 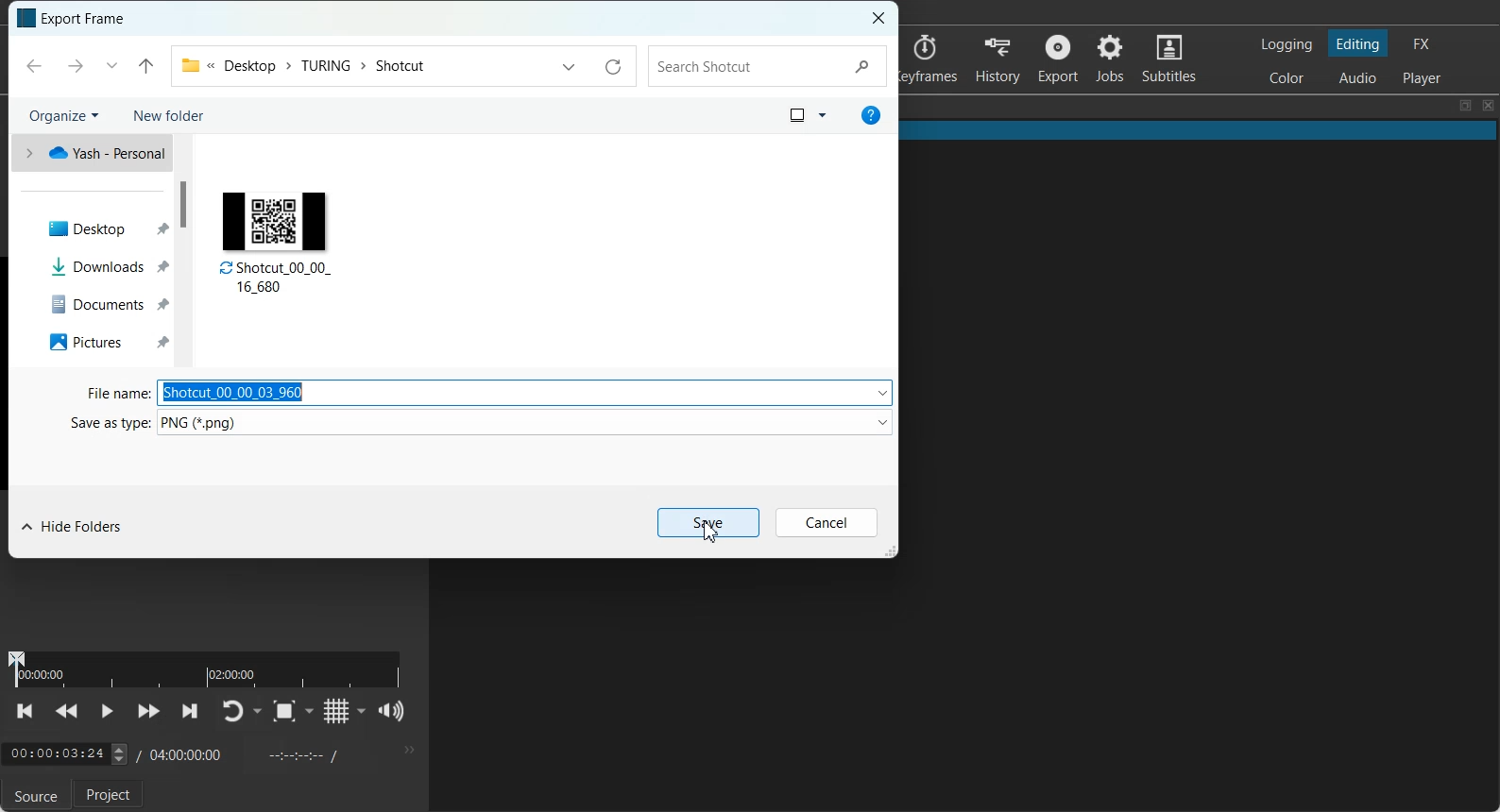 I want to click on Forward, so click(x=72, y=67).